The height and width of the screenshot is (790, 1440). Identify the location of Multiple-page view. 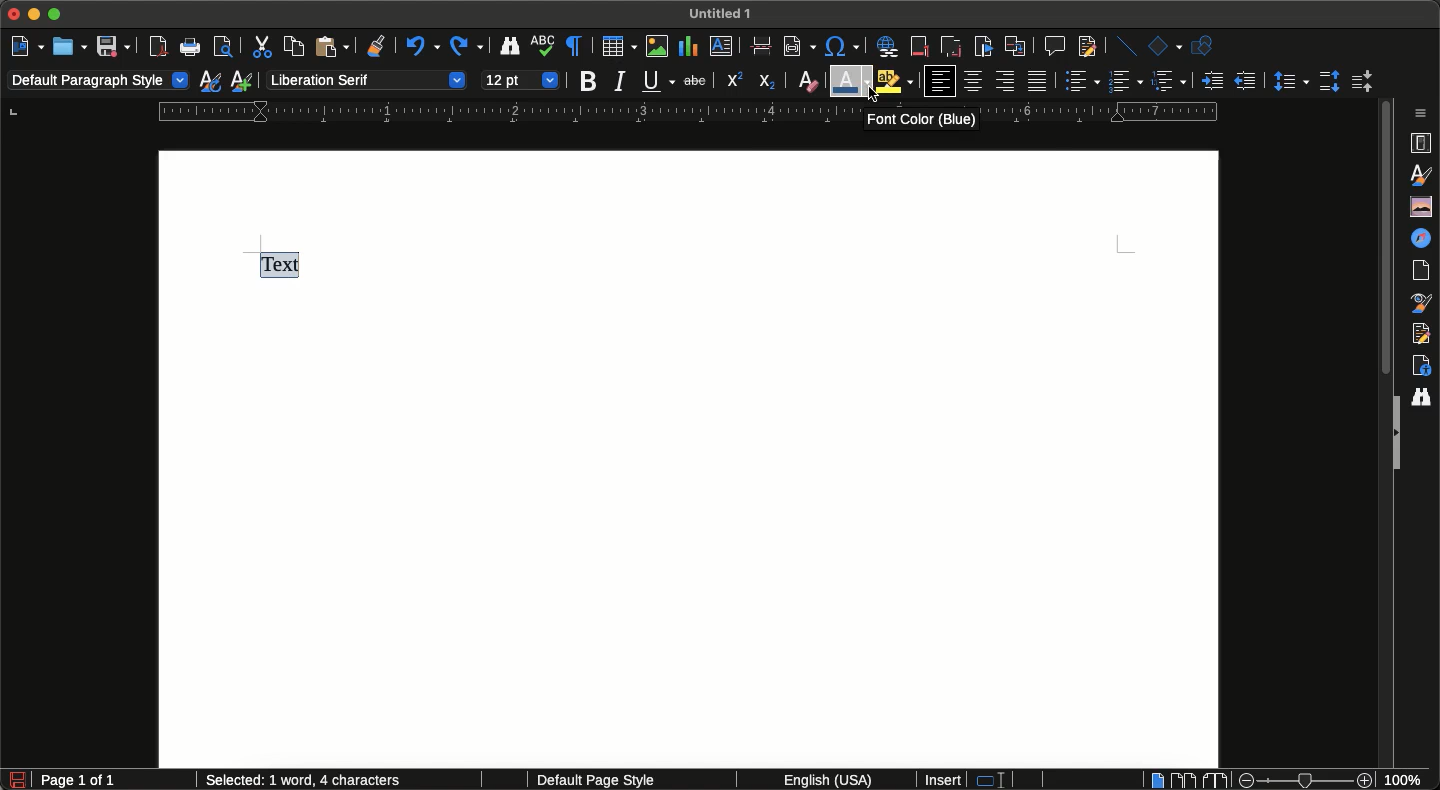
(1184, 779).